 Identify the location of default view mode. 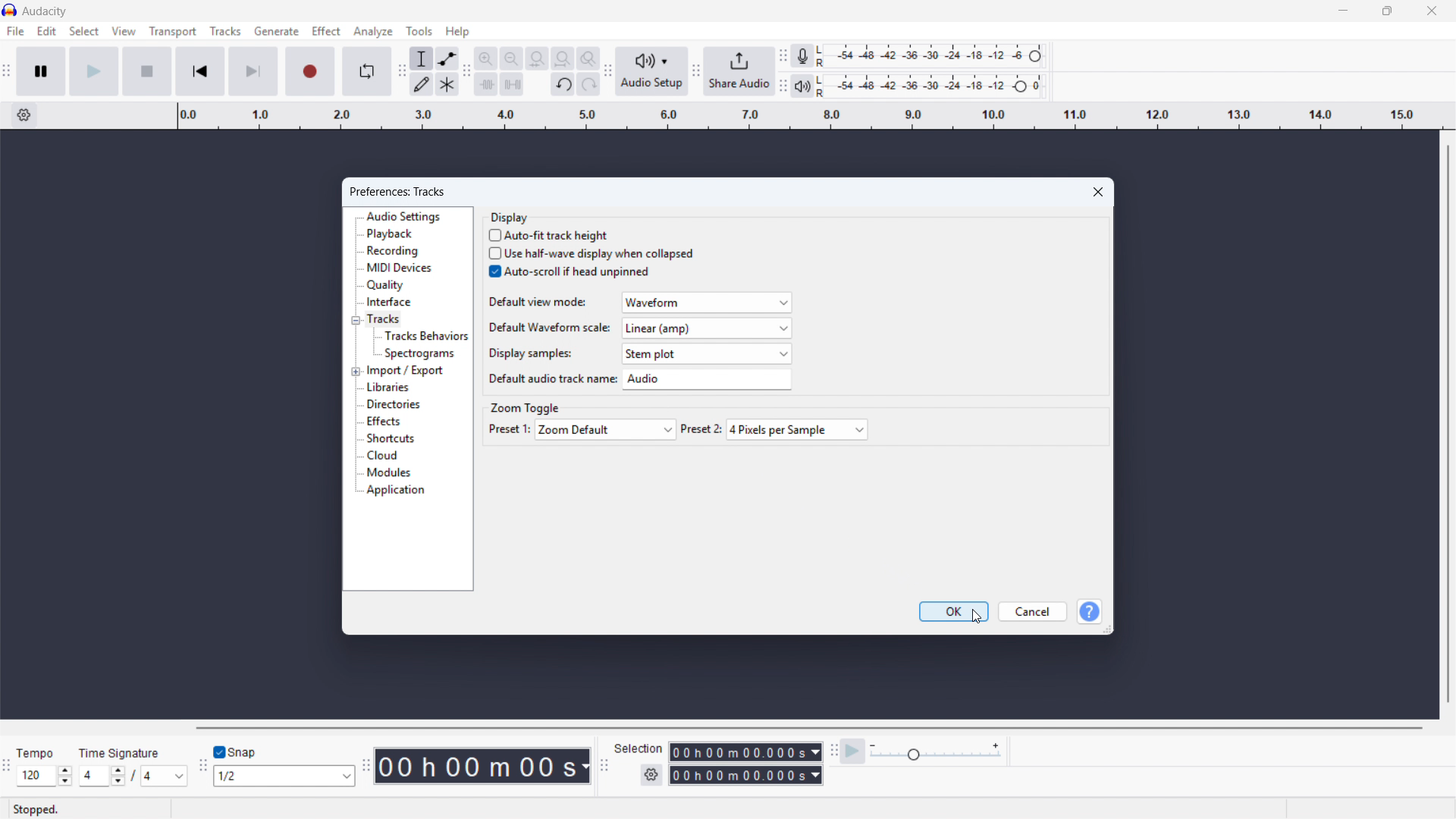
(638, 302).